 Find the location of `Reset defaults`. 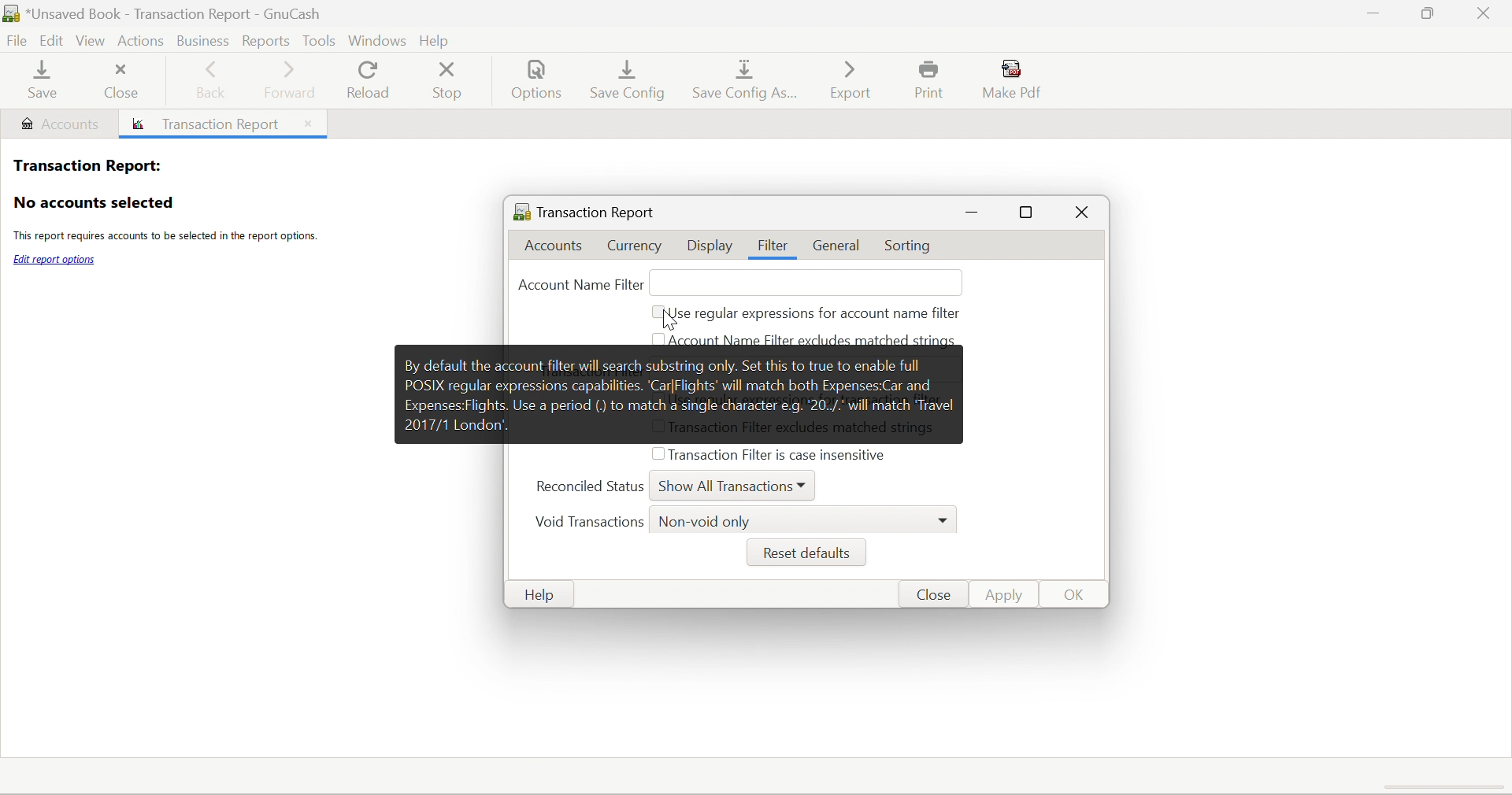

Reset defaults is located at coordinates (804, 553).